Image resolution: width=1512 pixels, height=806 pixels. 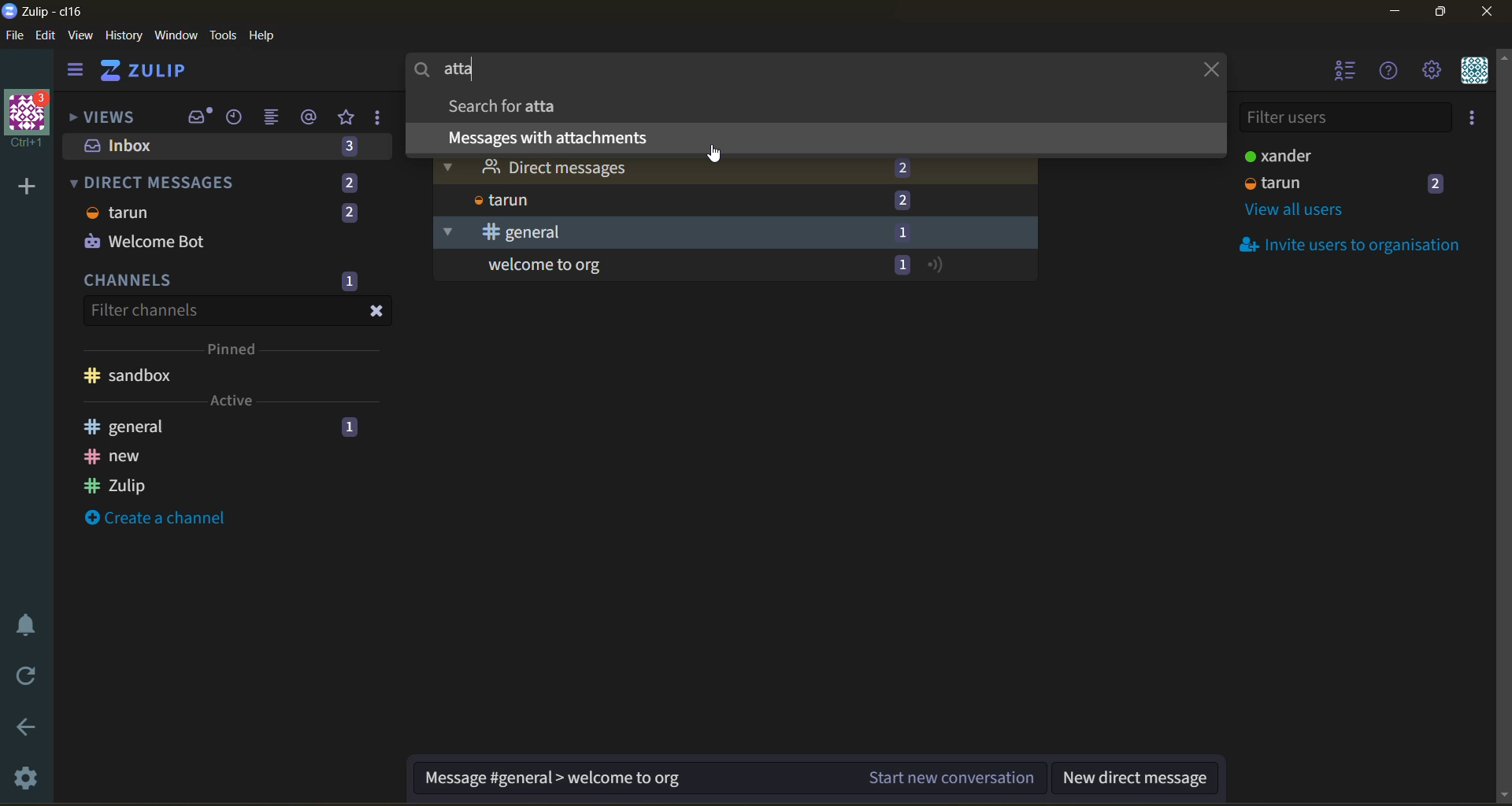 What do you see at coordinates (376, 312) in the screenshot?
I see `close` at bounding box center [376, 312].